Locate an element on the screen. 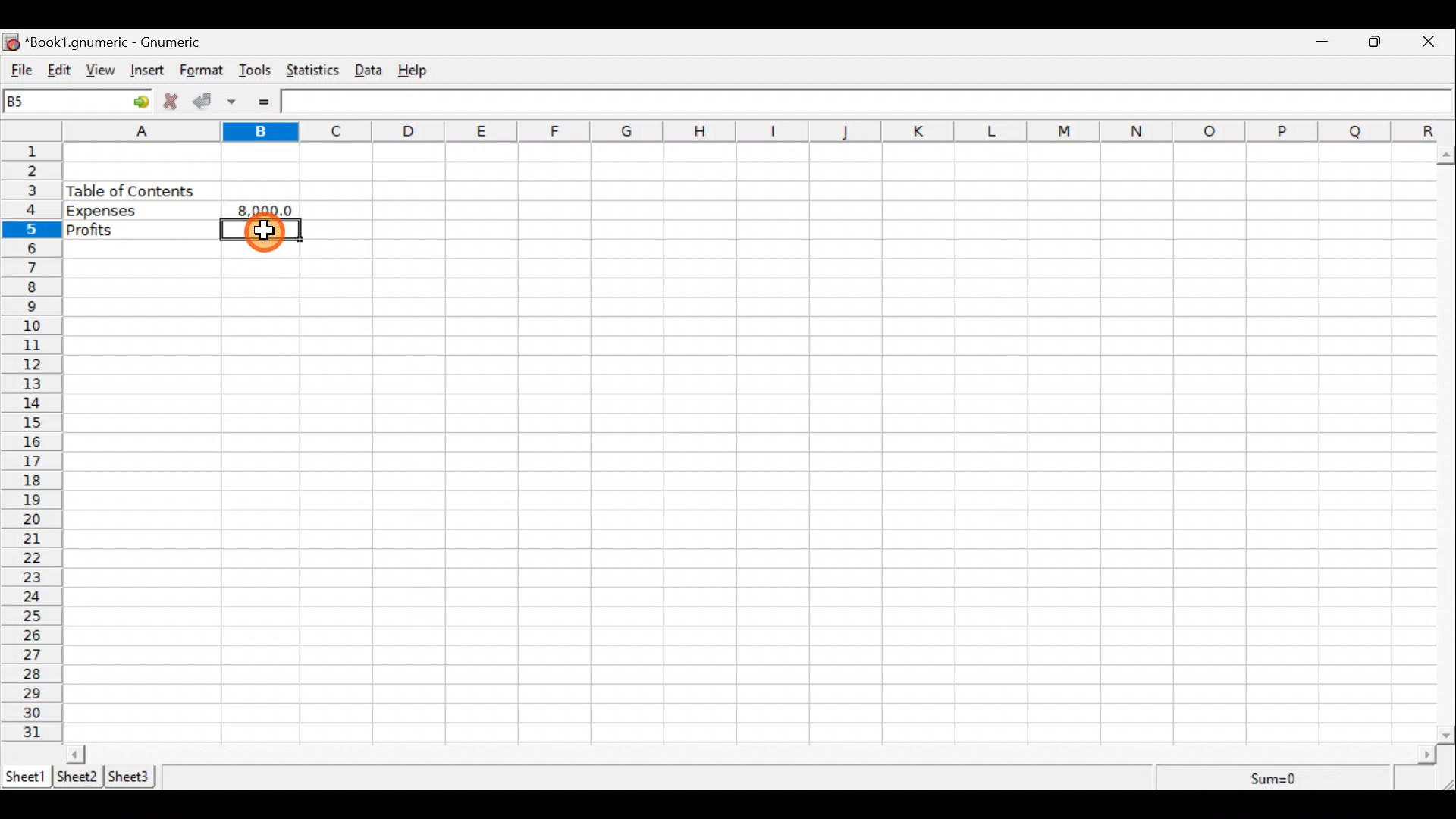 The image size is (1456, 819). Cell name is located at coordinates (78, 101).